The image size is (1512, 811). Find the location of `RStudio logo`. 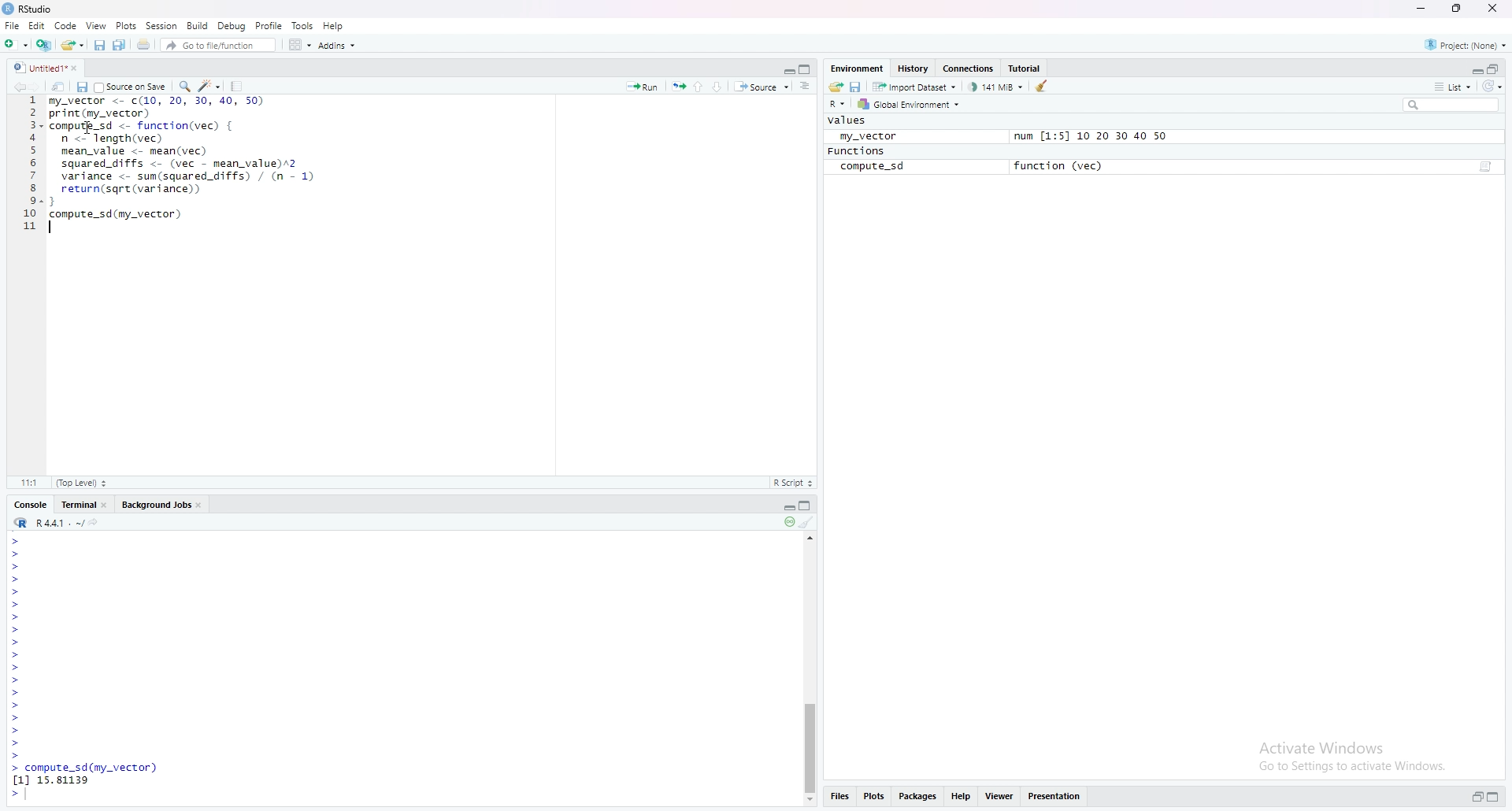

RStudio logo is located at coordinates (19, 68).